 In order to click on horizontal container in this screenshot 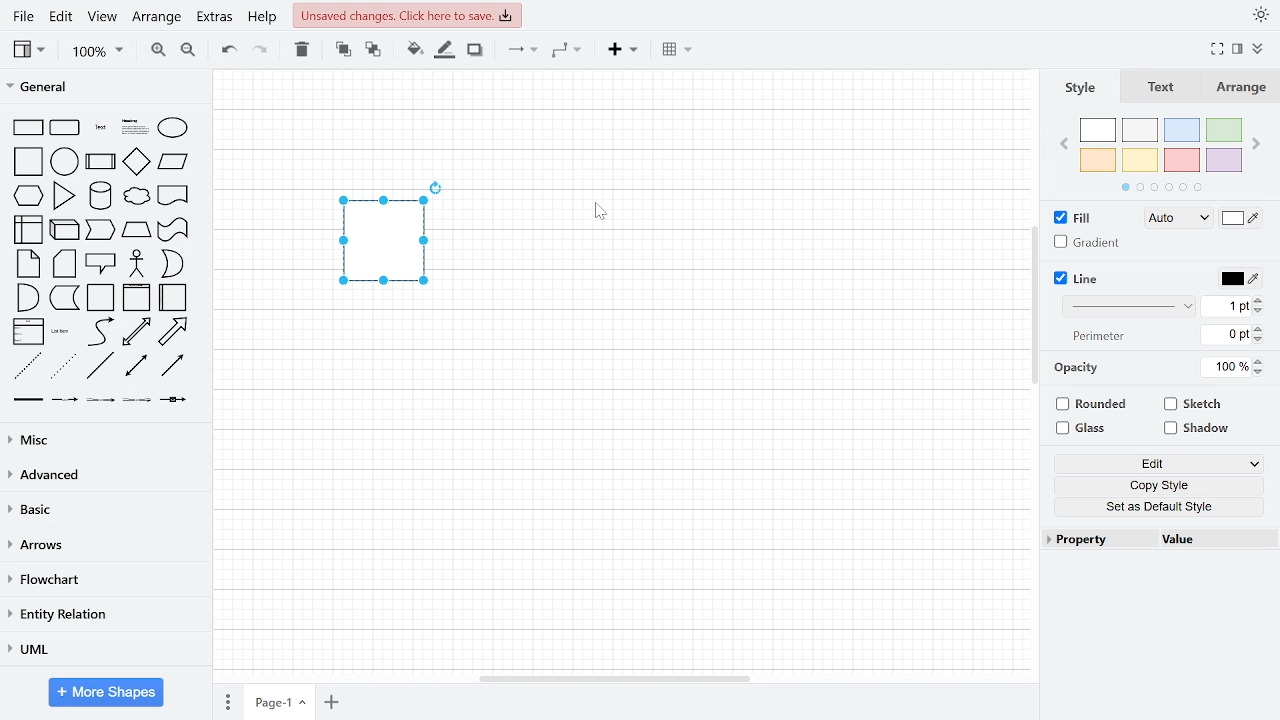, I will do `click(174, 297)`.